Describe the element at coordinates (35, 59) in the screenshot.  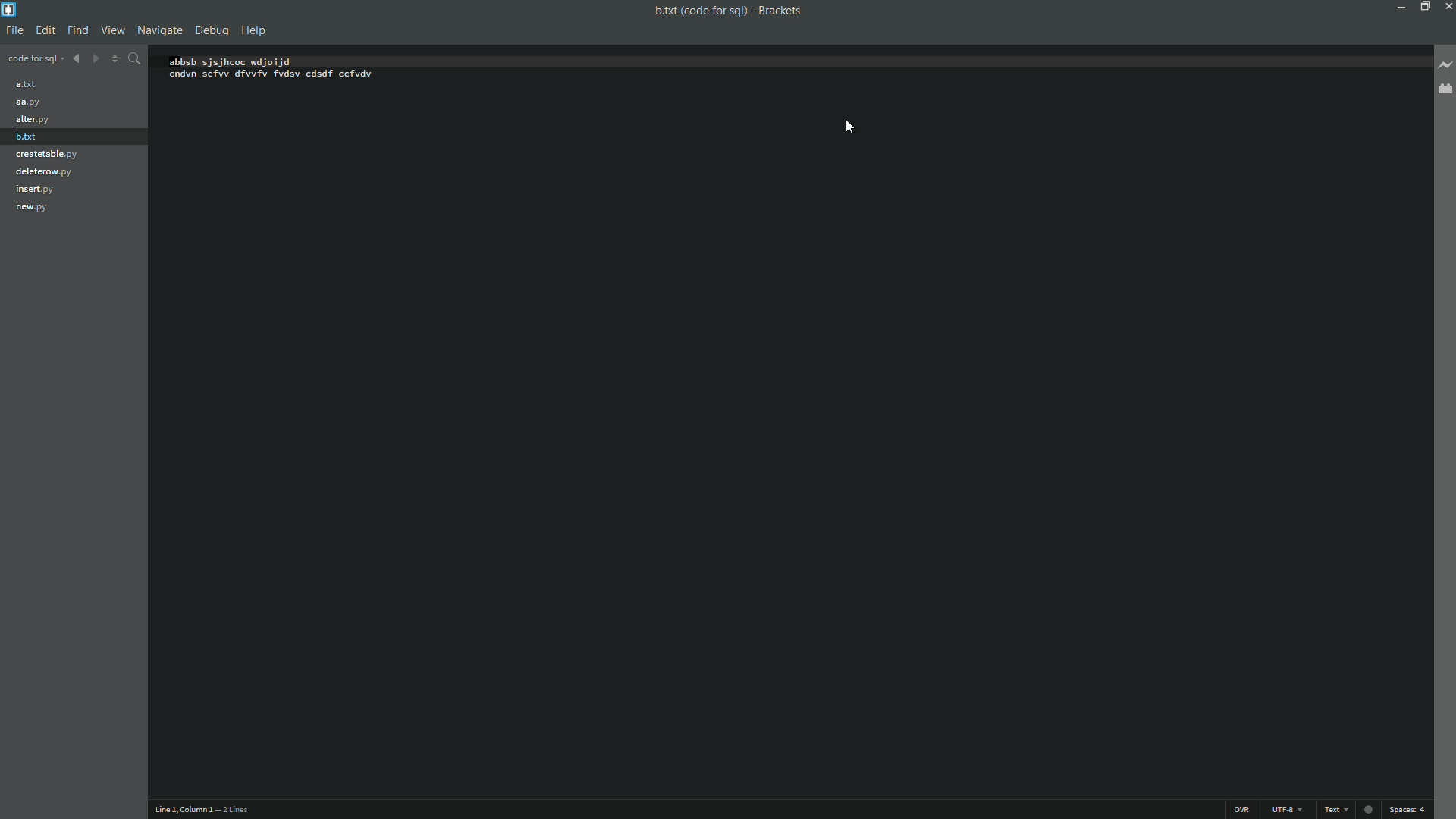
I see `code for sql` at that location.